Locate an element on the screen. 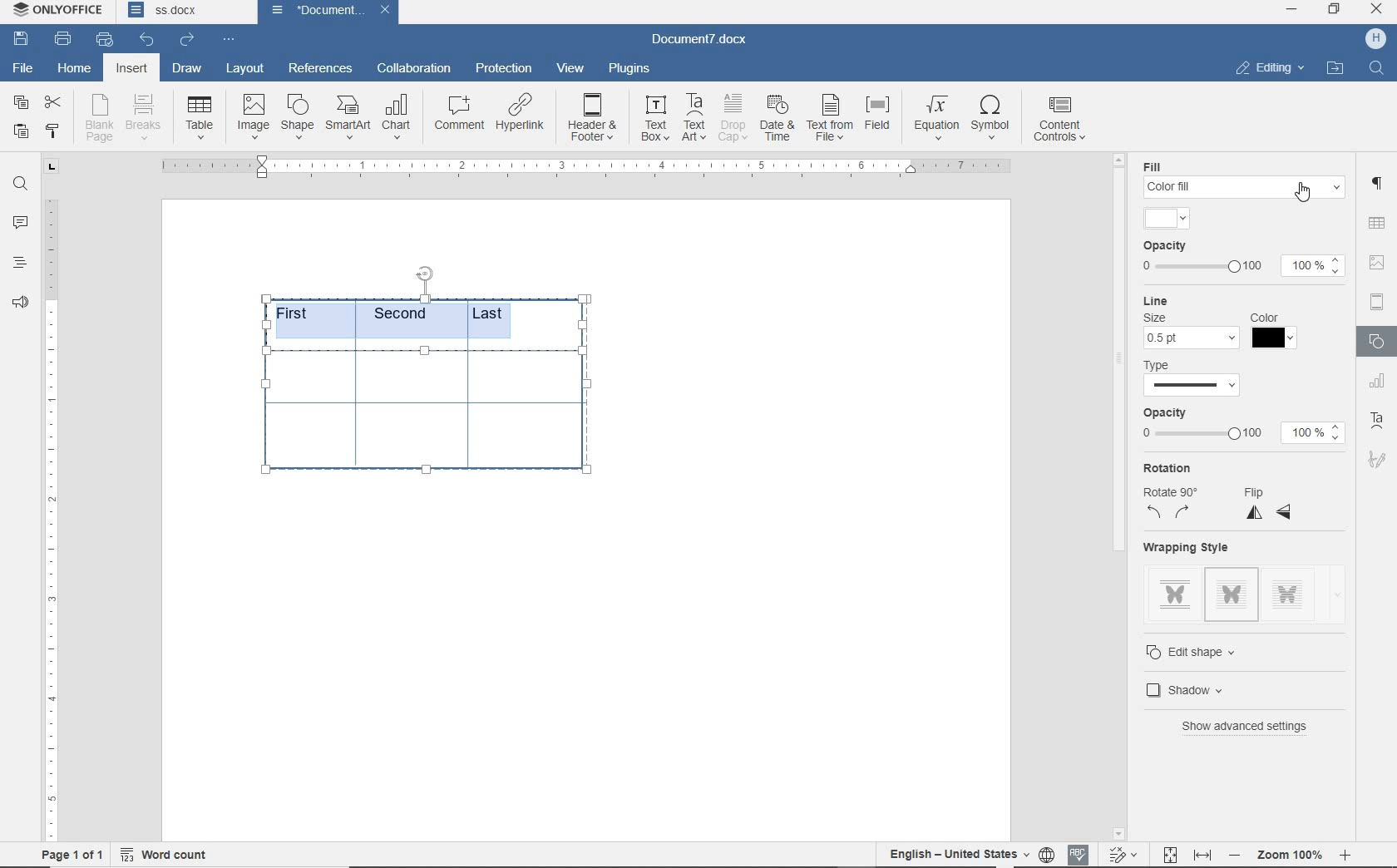 This screenshot has width=1397, height=868. header & footer is located at coordinates (593, 118).